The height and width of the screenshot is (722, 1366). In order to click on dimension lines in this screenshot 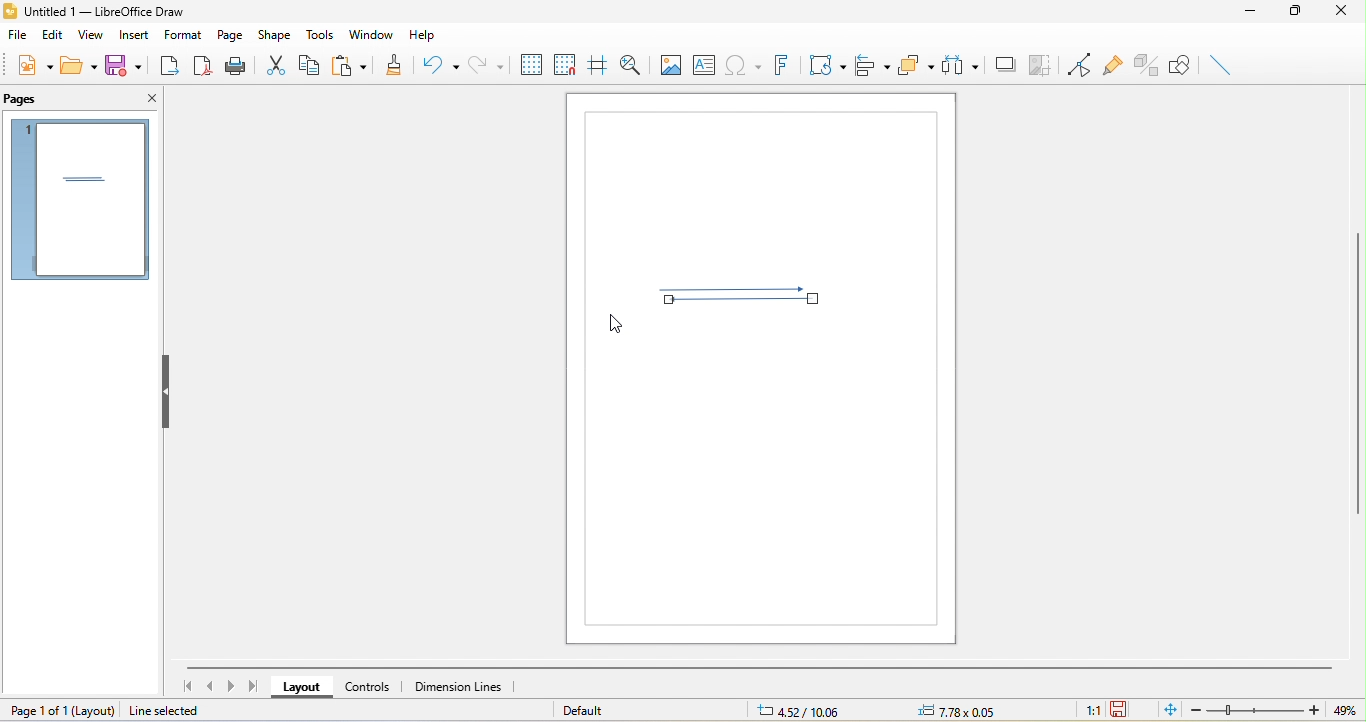, I will do `click(467, 687)`.